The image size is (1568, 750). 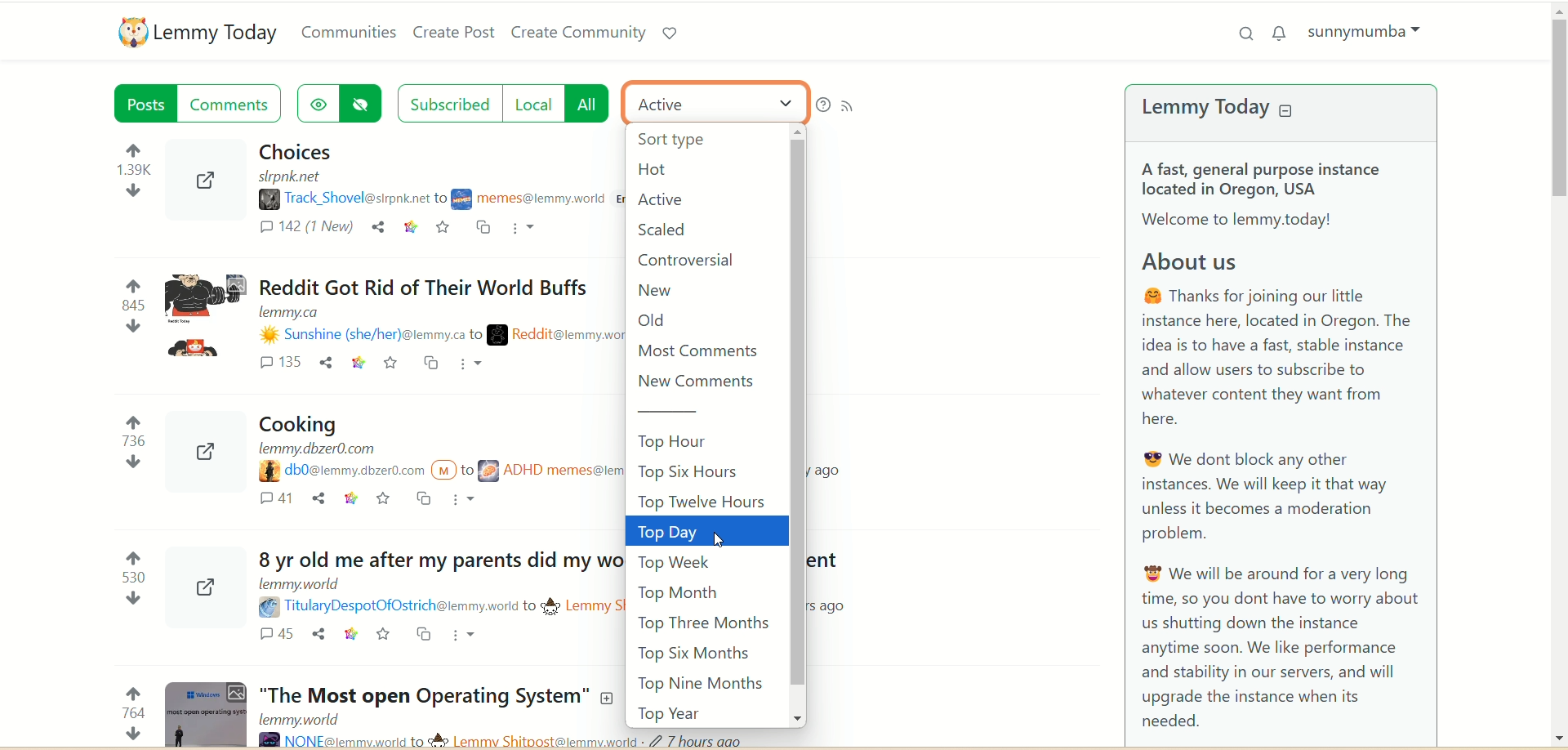 I want to click on sunnymumba(account), so click(x=1370, y=31).